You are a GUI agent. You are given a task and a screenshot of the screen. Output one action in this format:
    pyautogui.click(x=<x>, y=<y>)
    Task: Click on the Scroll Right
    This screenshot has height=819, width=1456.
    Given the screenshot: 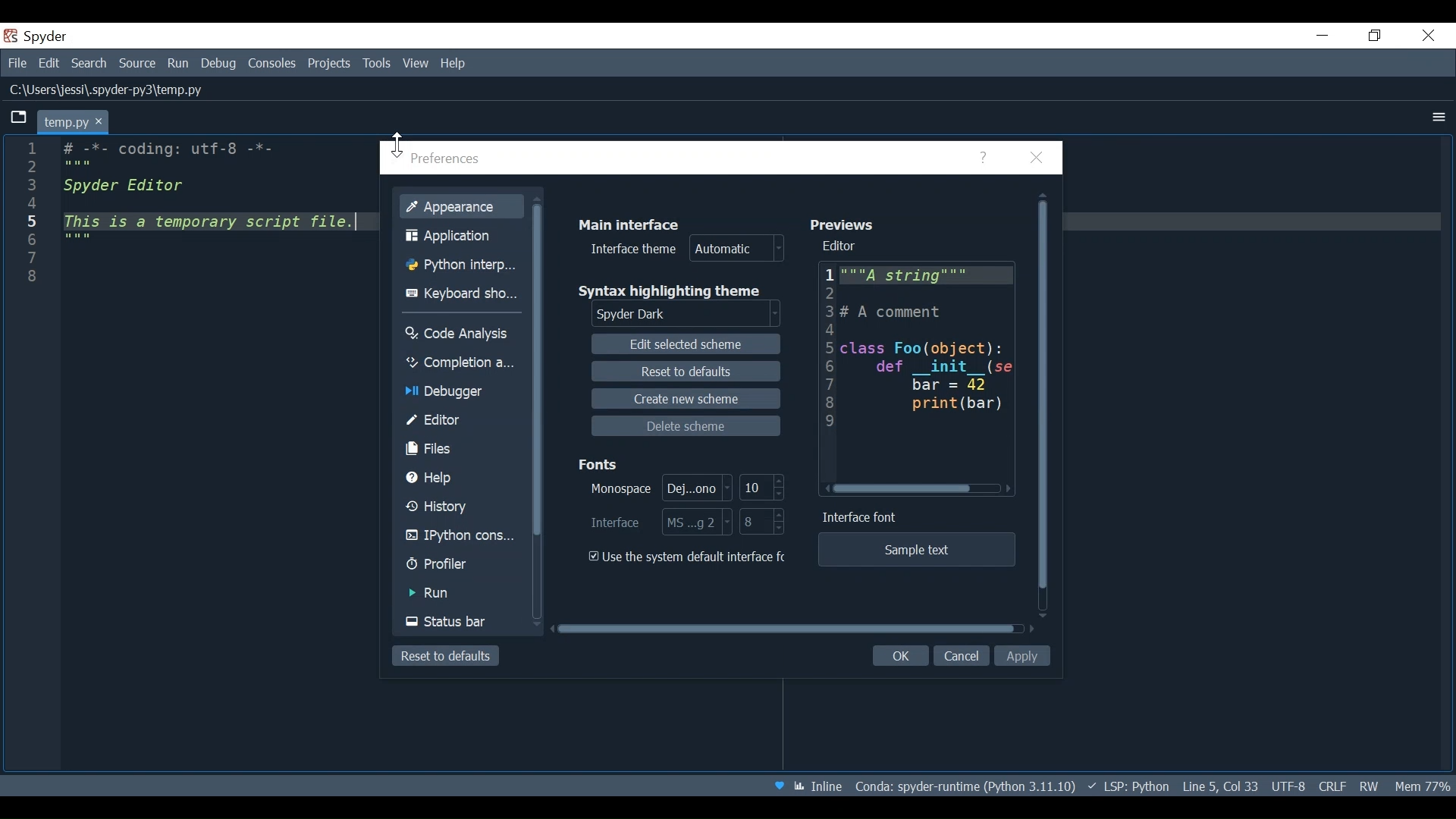 What is the action you would take?
    pyautogui.click(x=1007, y=489)
    